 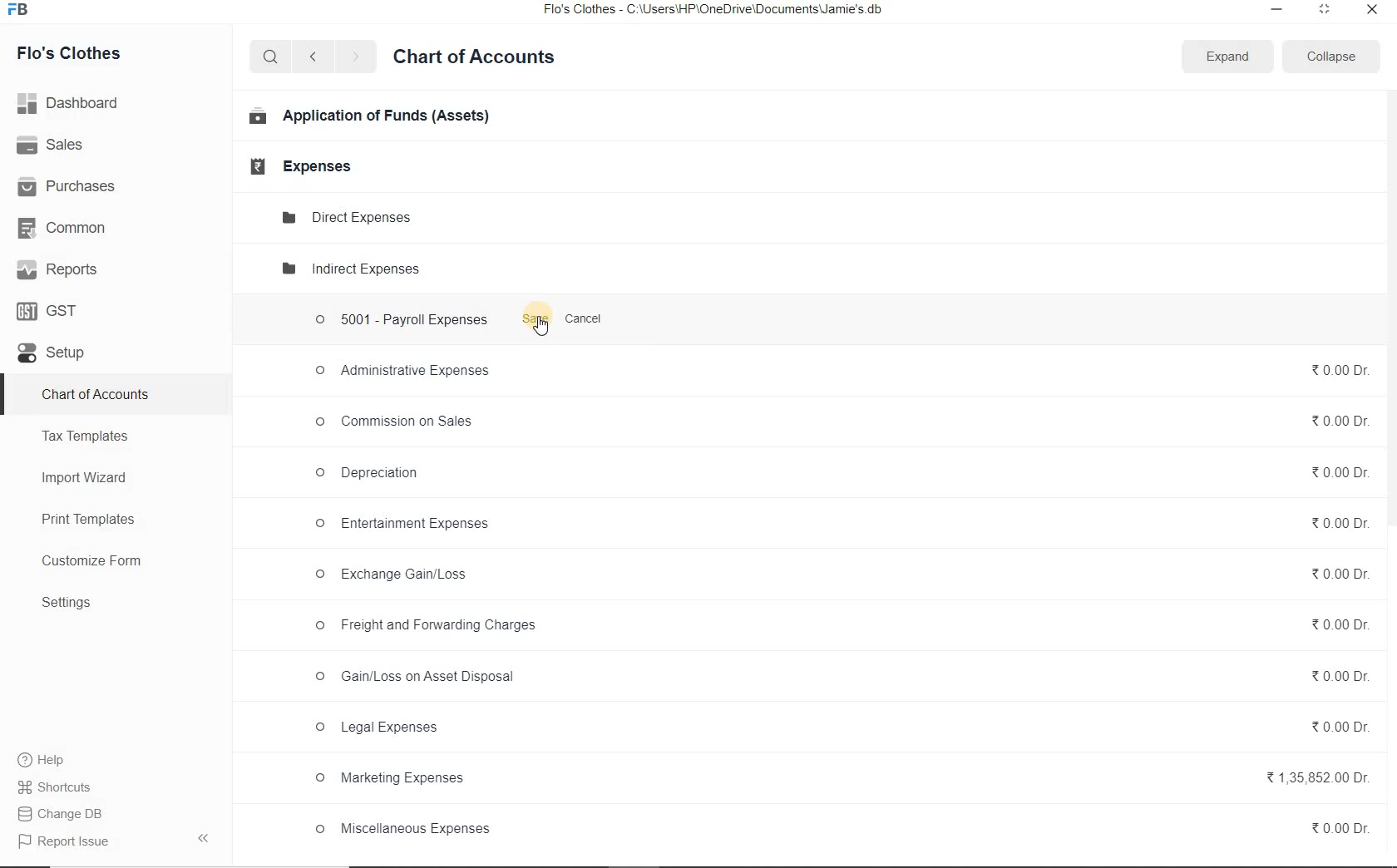 What do you see at coordinates (52, 354) in the screenshot?
I see `set up` at bounding box center [52, 354].